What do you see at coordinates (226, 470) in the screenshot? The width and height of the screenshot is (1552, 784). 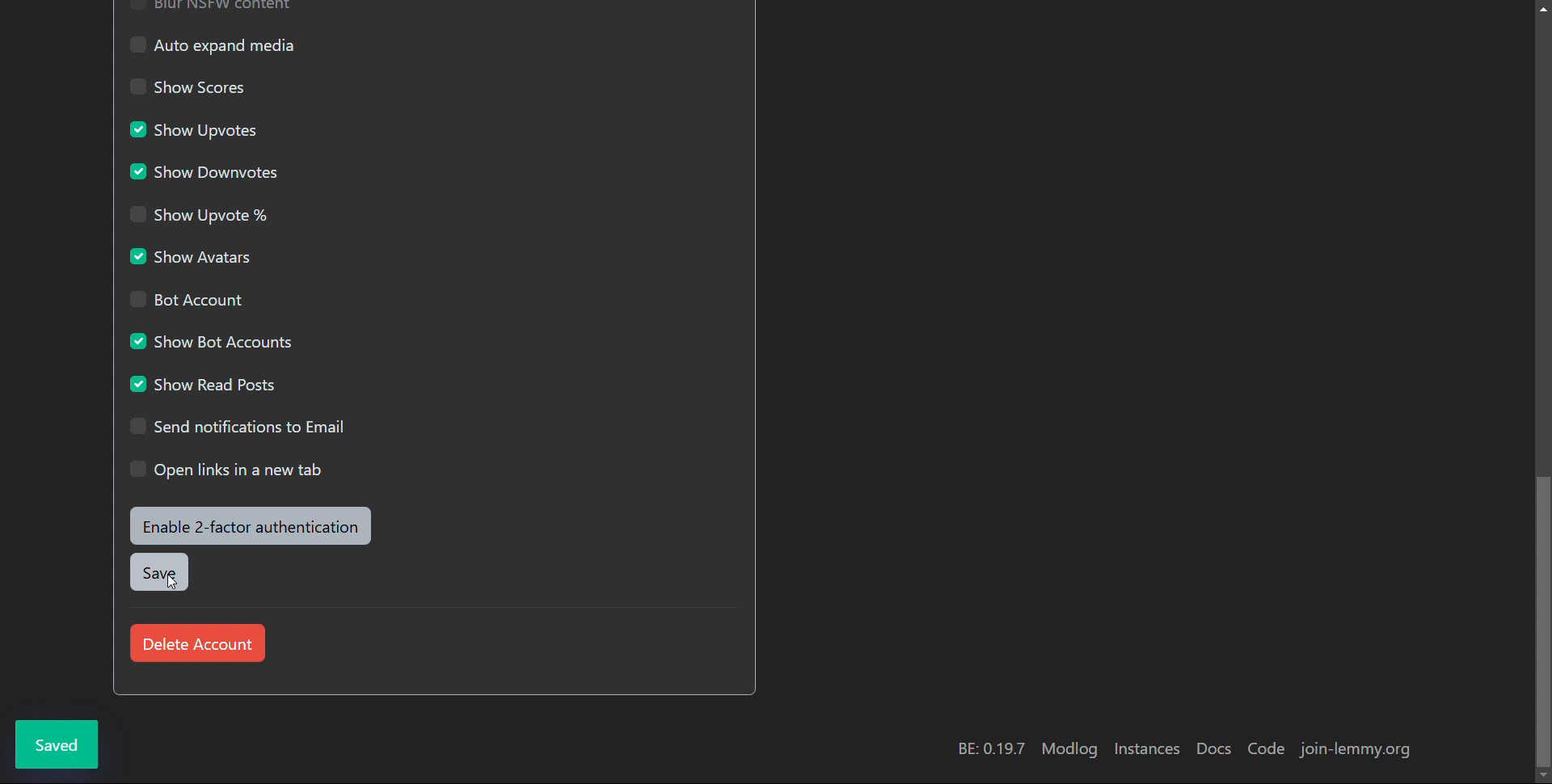 I see `open links in a new tab` at bounding box center [226, 470].